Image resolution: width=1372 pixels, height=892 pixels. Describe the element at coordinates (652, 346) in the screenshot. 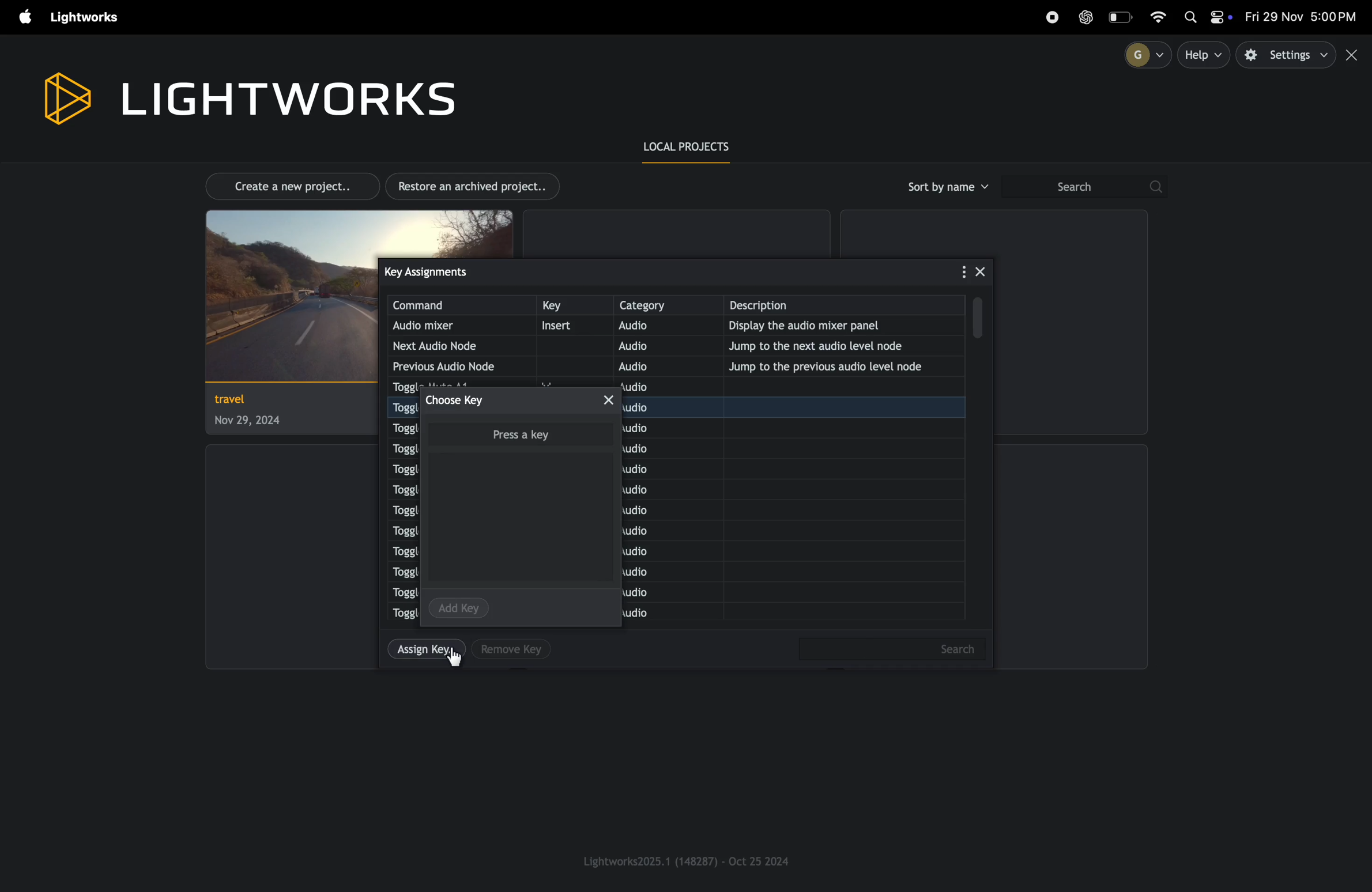

I see `audio` at that location.